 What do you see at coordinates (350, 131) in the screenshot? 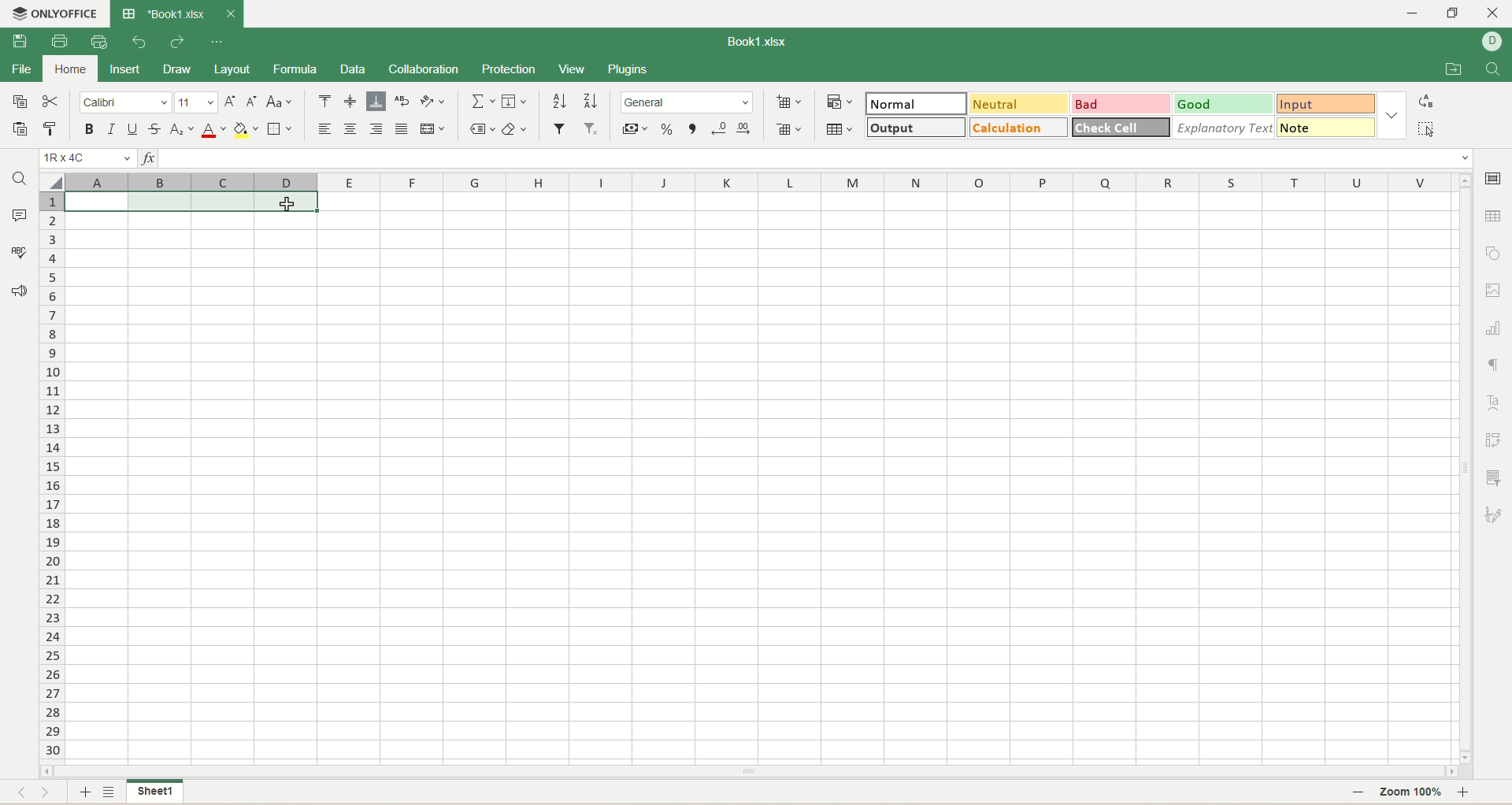
I see `align center` at bounding box center [350, 131].